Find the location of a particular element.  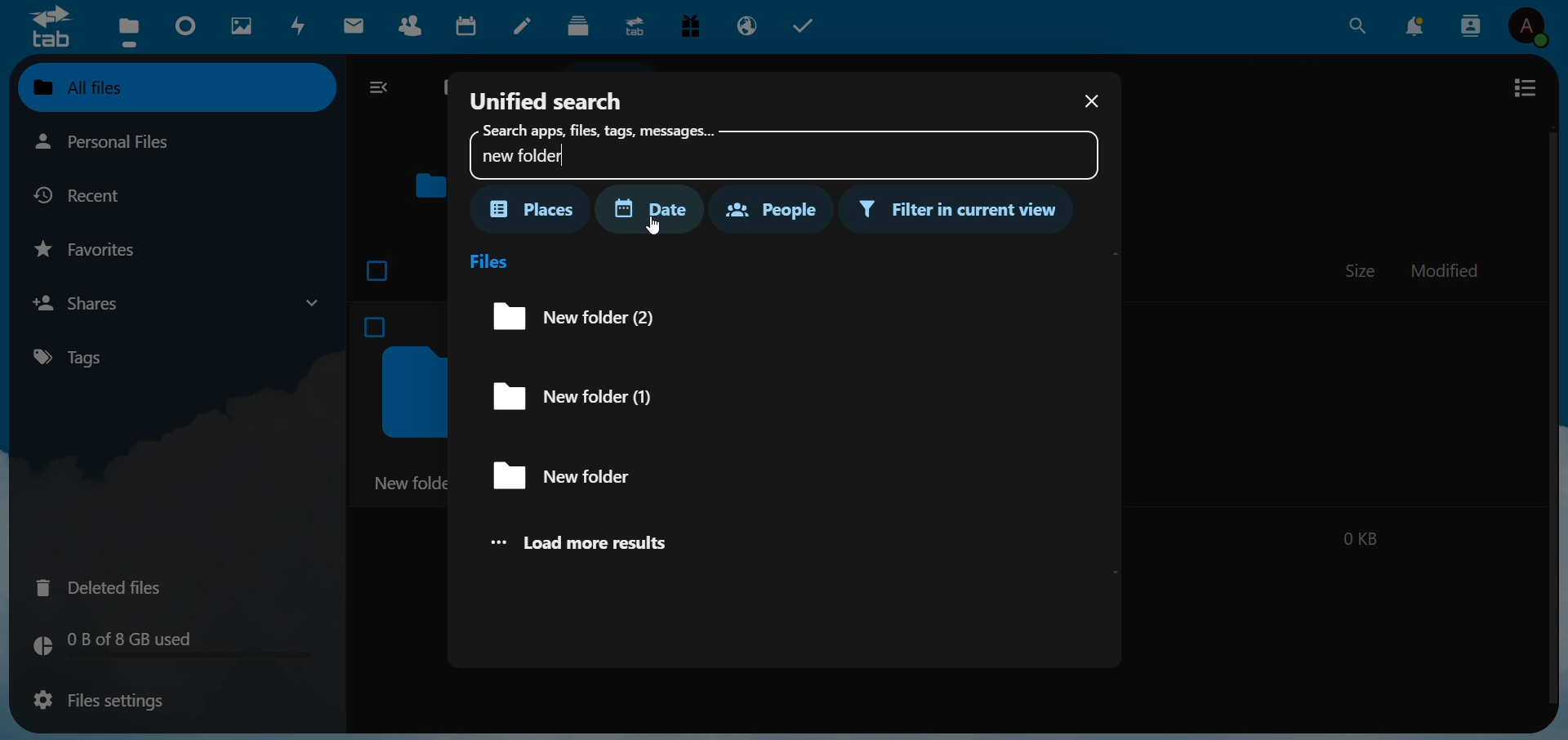

search is located at coordinates (1356, 25).